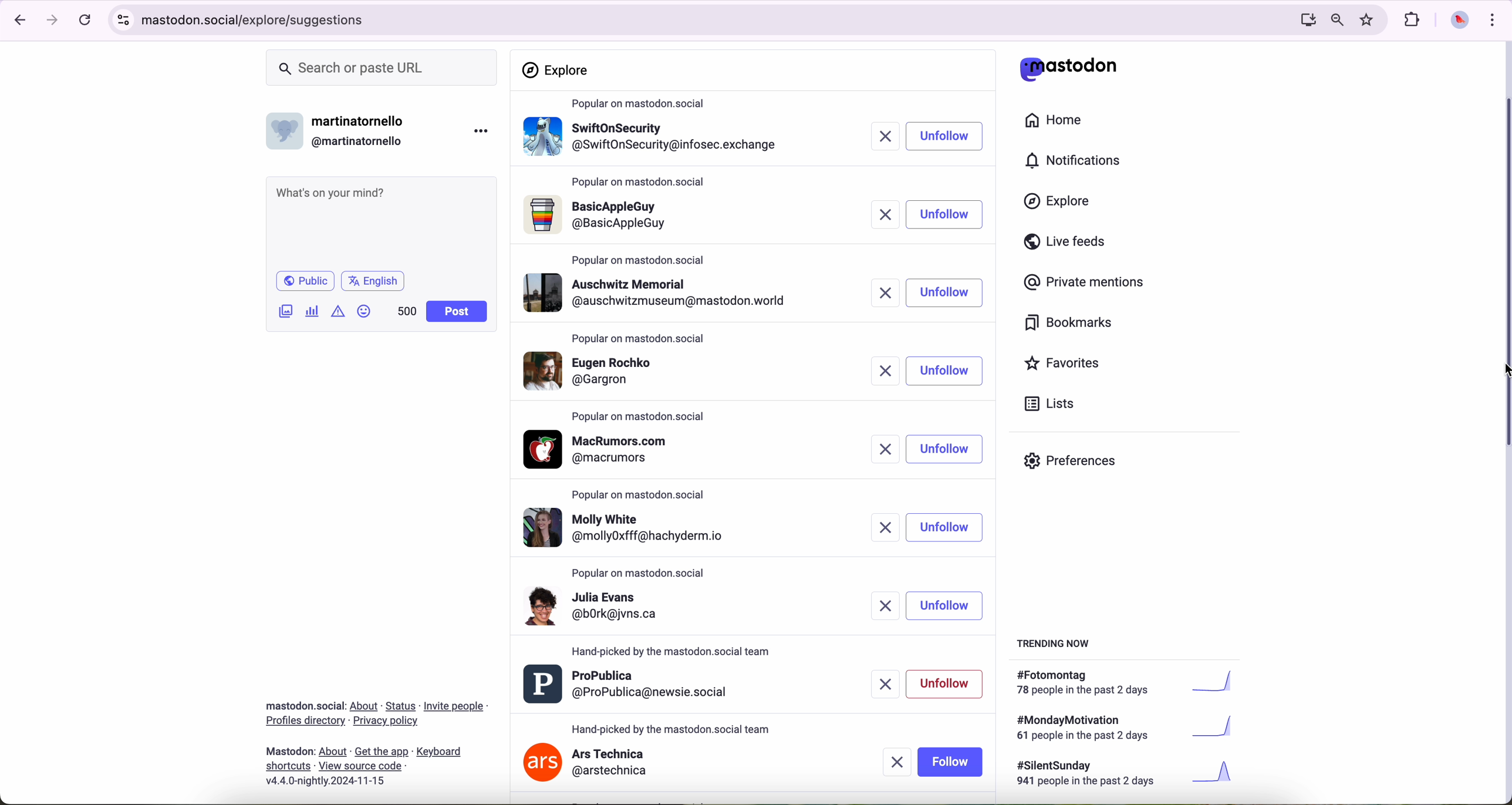 This screenshot has height=805, width=1512. Describe the element at coordinates (1369, 20) in the screenshot. I see `favorites` at that location.